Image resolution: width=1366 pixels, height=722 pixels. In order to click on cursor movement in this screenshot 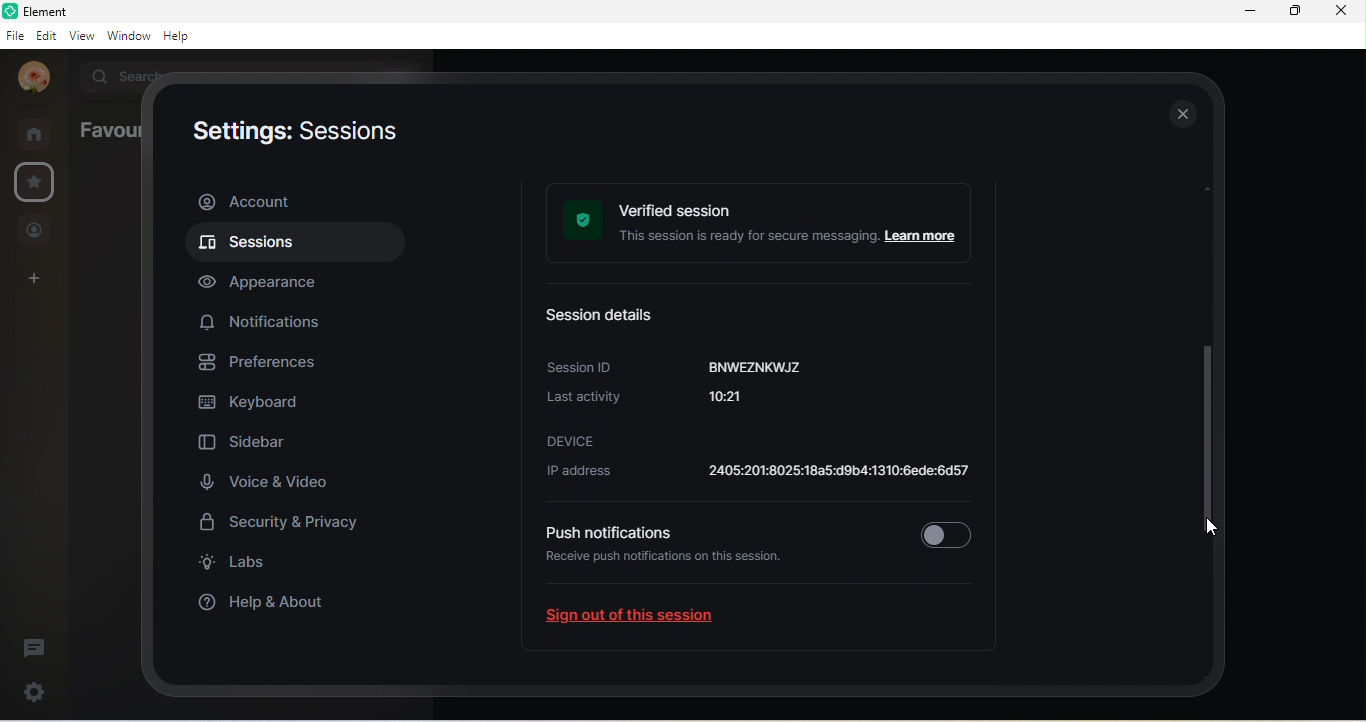, I will do `click(1214, 530)`.